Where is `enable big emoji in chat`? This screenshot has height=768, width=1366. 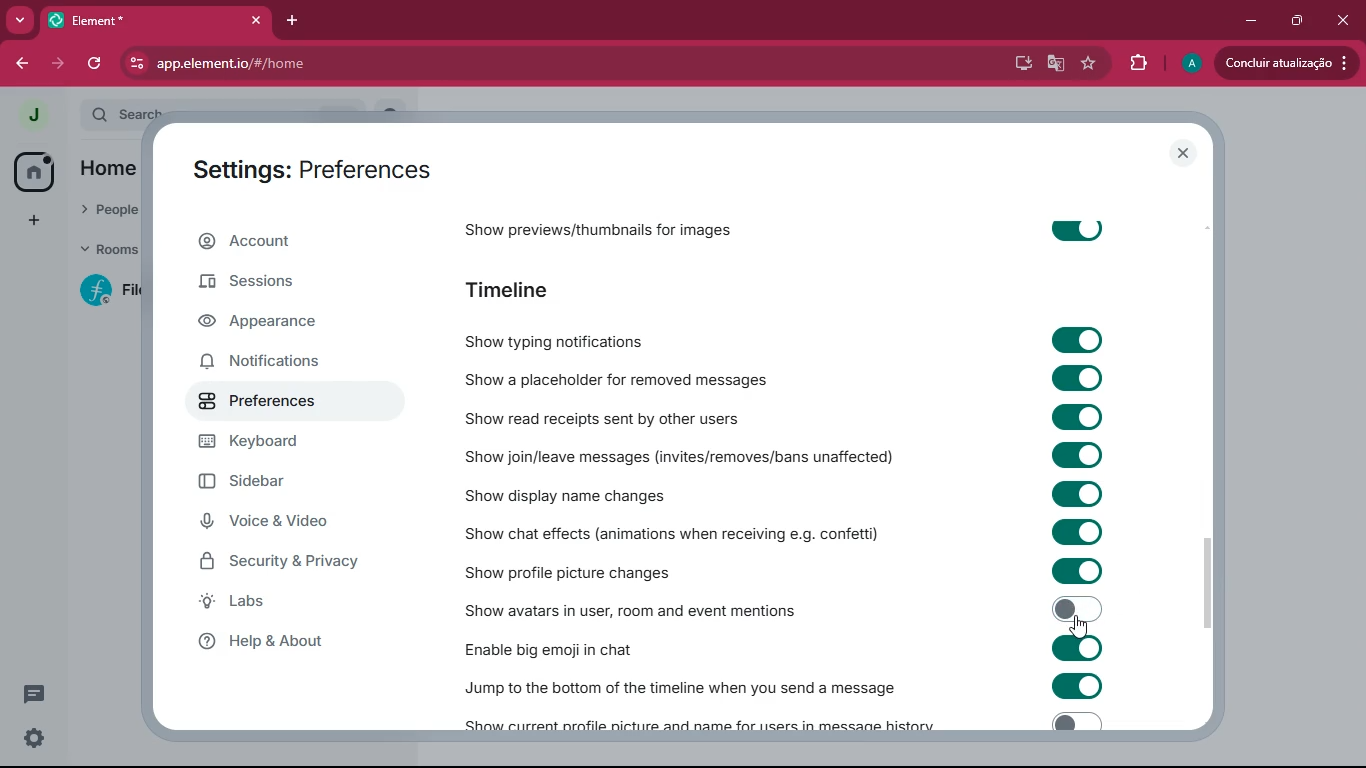
enable big emoji in chat is located at coordinates (584, 647).